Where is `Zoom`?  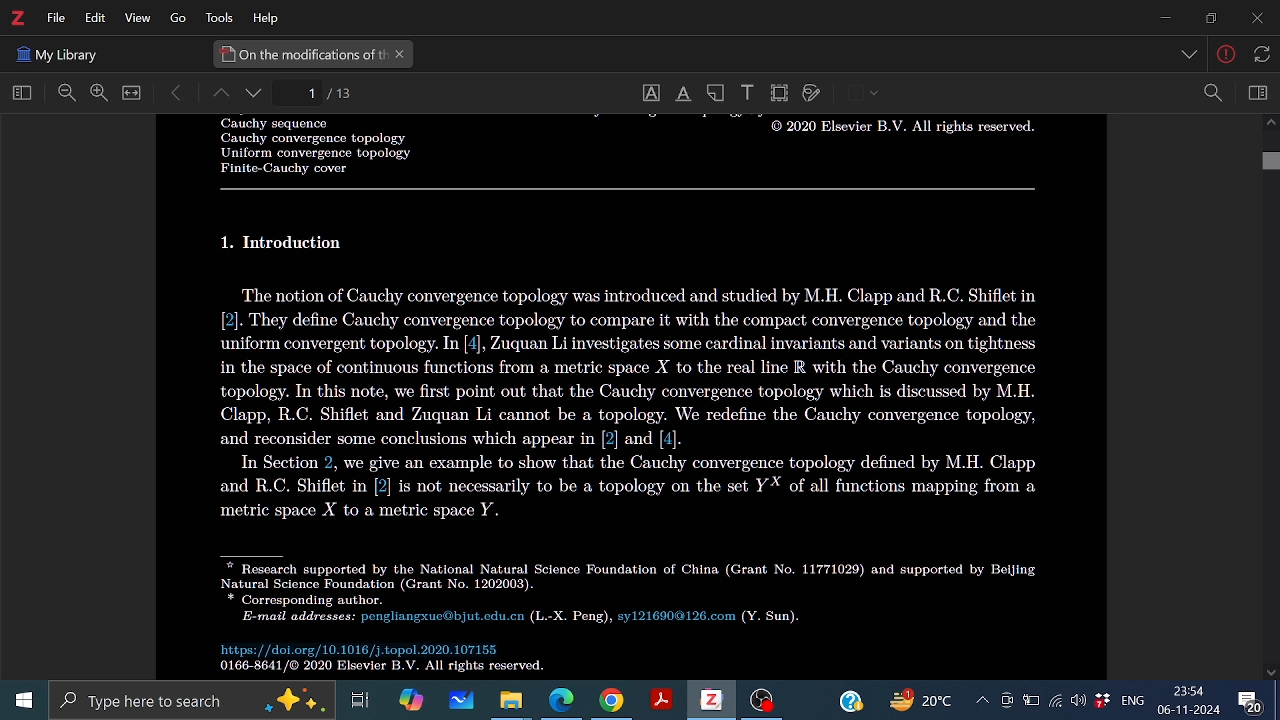
Zoom is located at coordinates (1212, 93).